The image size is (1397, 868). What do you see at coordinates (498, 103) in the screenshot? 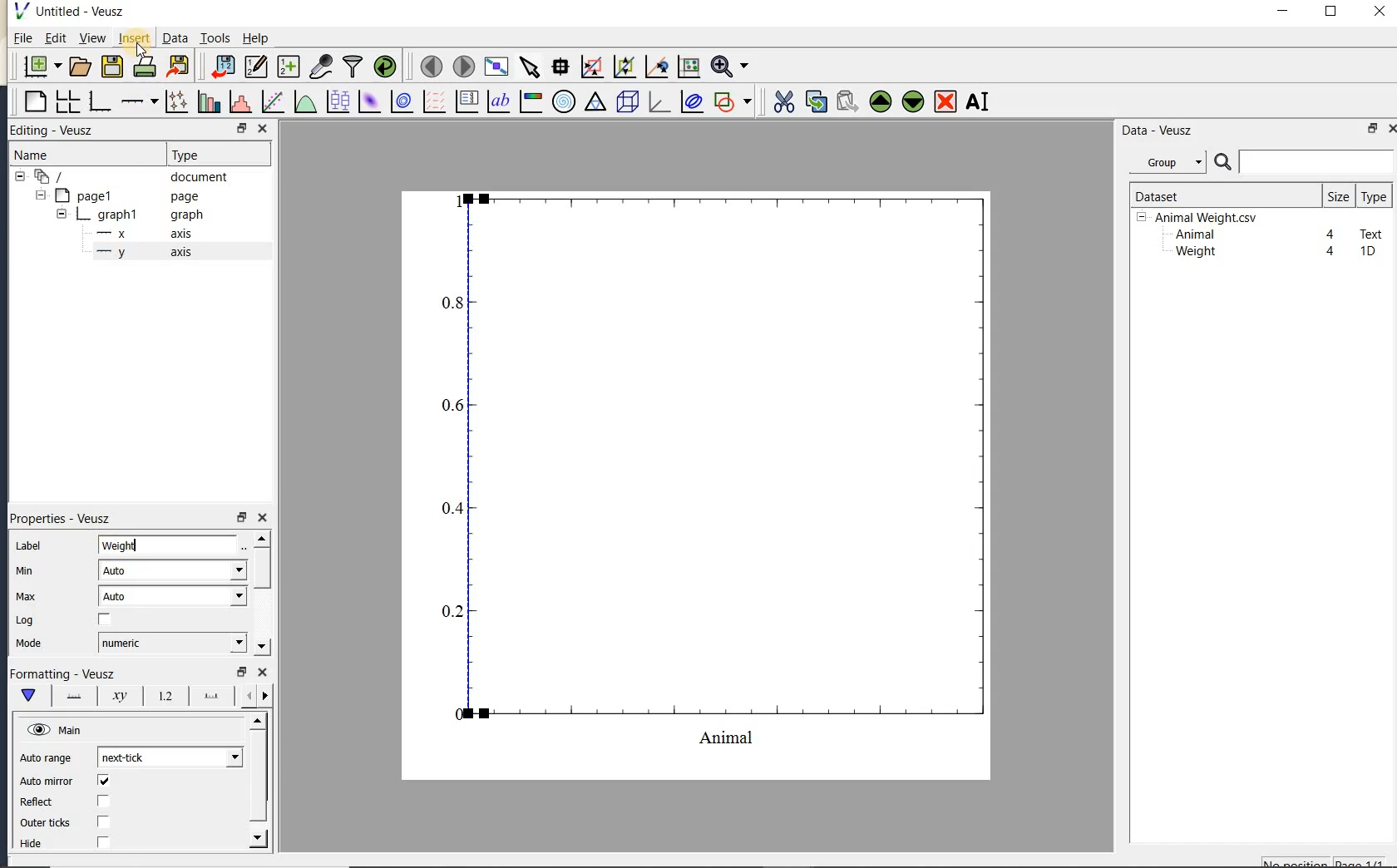
I see `text label` at bounding box center [498, 103].